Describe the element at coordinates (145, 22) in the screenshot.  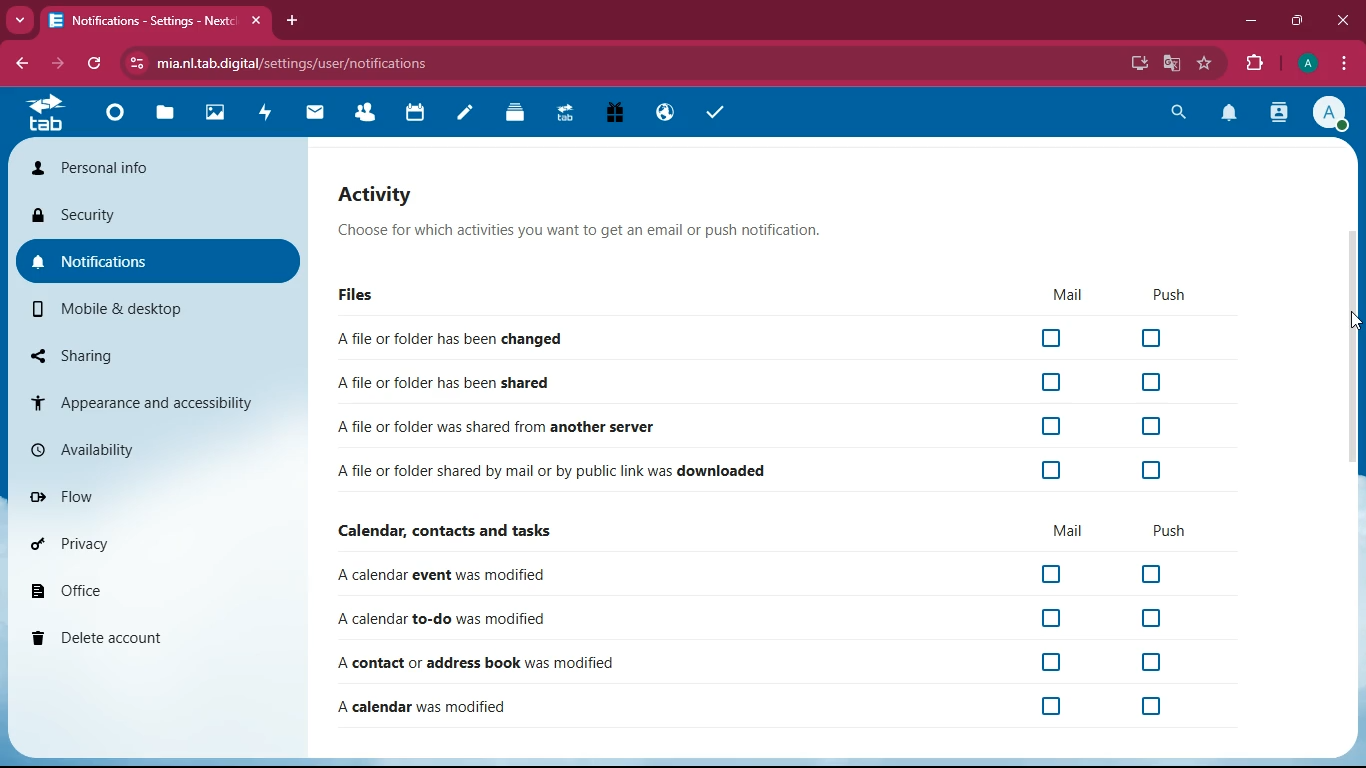
I see `Notifications- Setting - Next` at that location.